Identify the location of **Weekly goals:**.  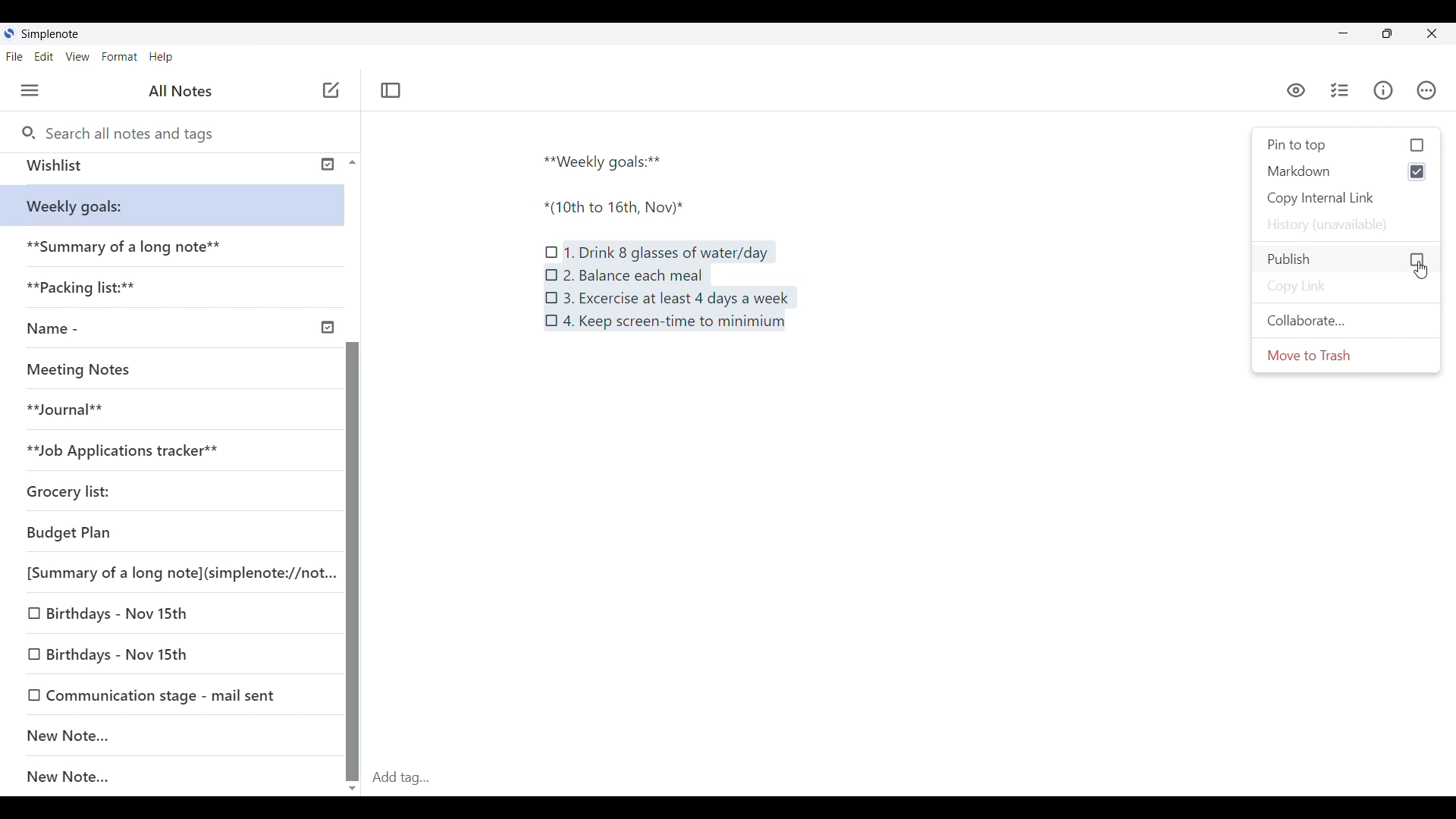
(609, 159).